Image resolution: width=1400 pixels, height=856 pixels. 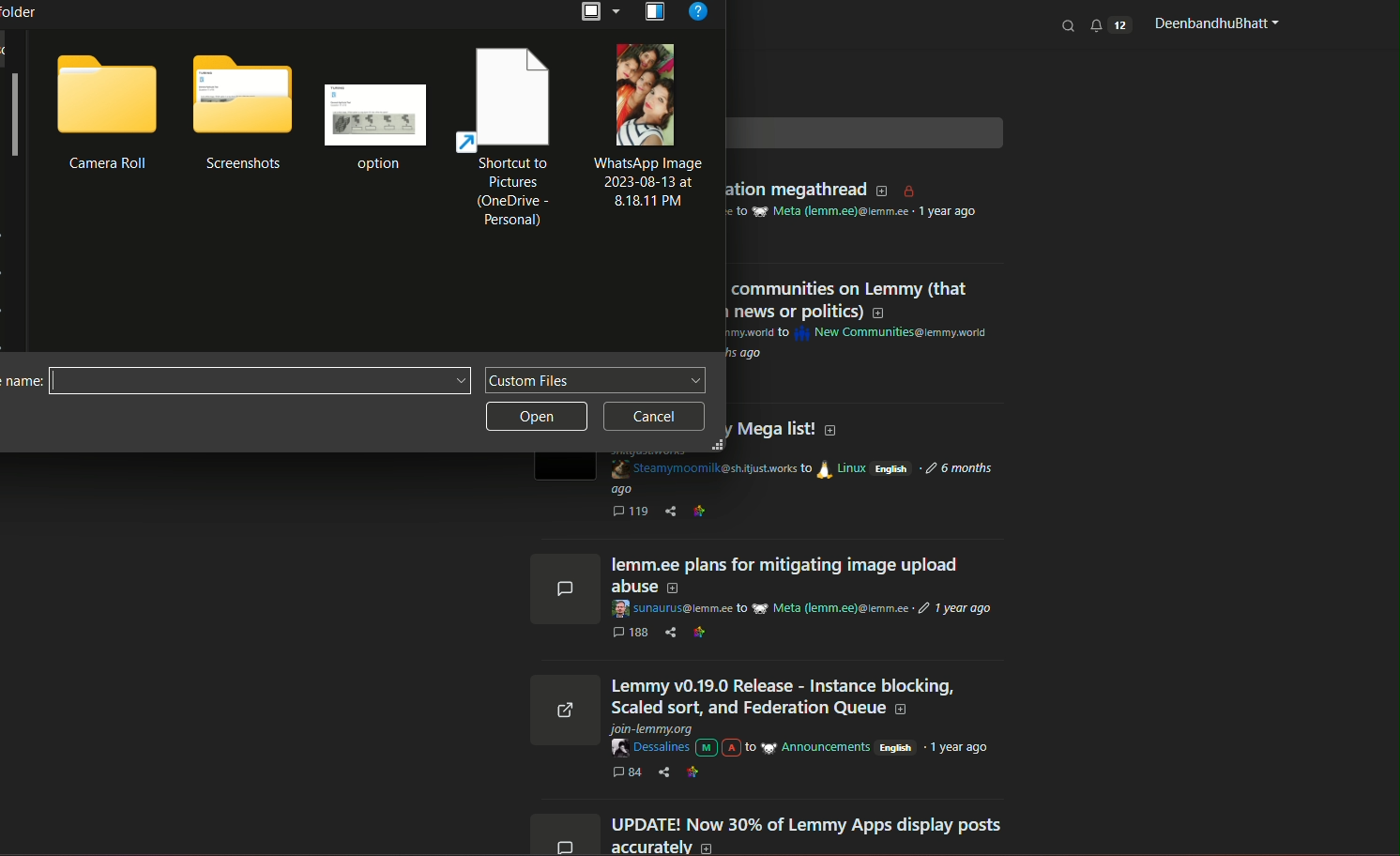 What do you see at coordinates (596, 381) in the screenshot?
I see `text box` at bounding box center [596, 381].